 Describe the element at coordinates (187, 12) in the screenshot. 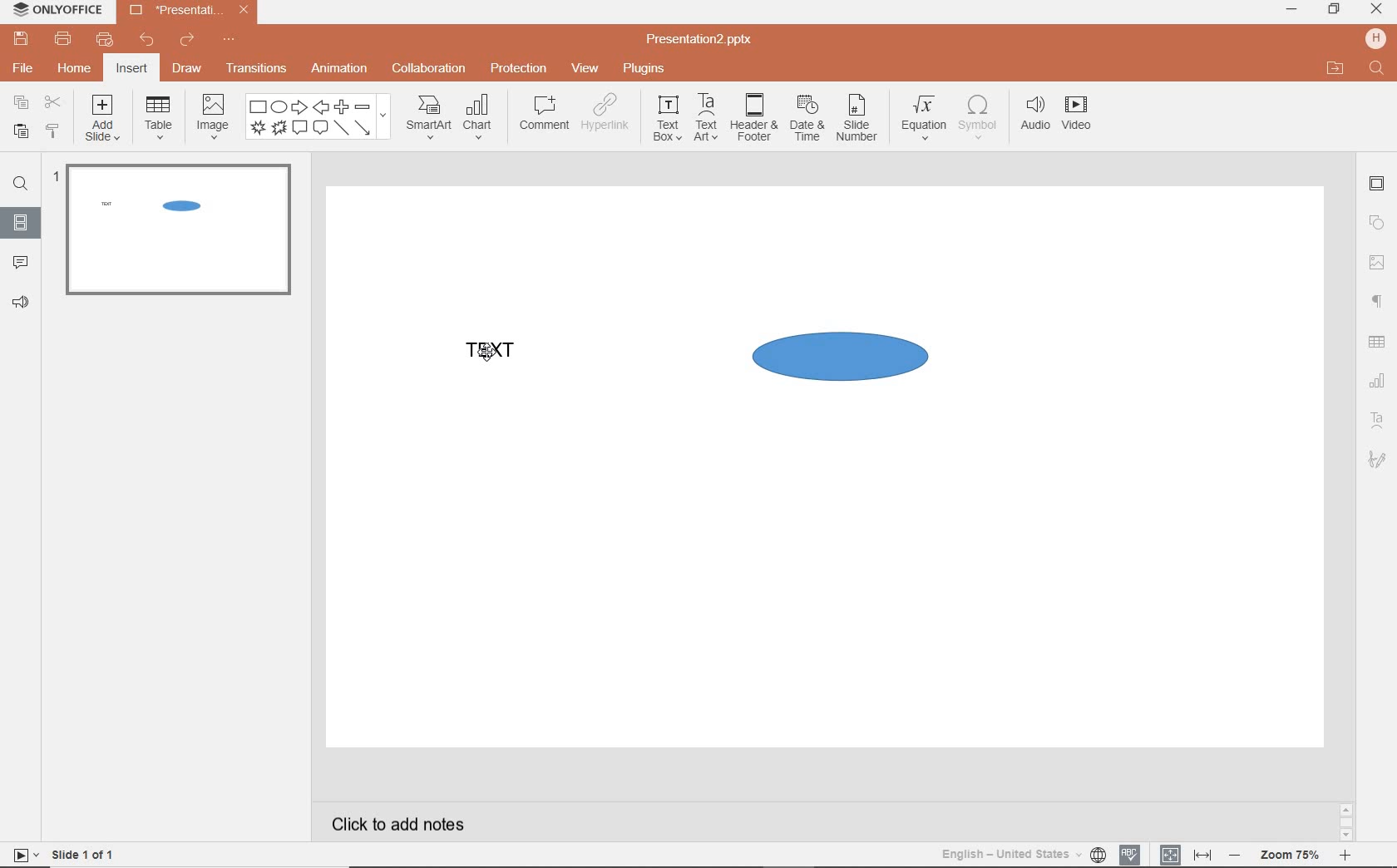

I see `Presentation2.pptx` at that location.